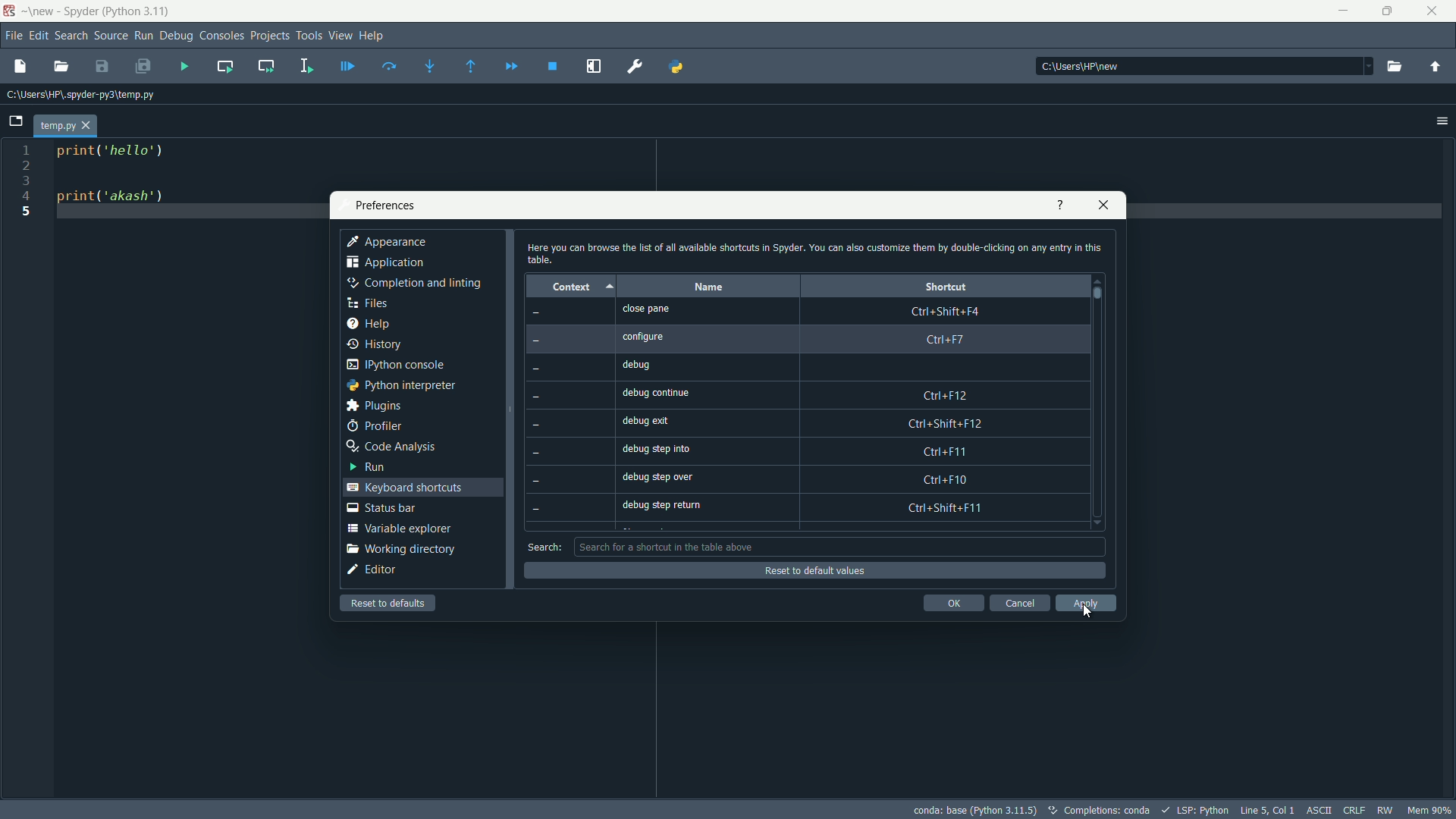 Image resolution: width=1456 pixels, height=819 pixels. I want to click on debug menu, so click(176, 36).